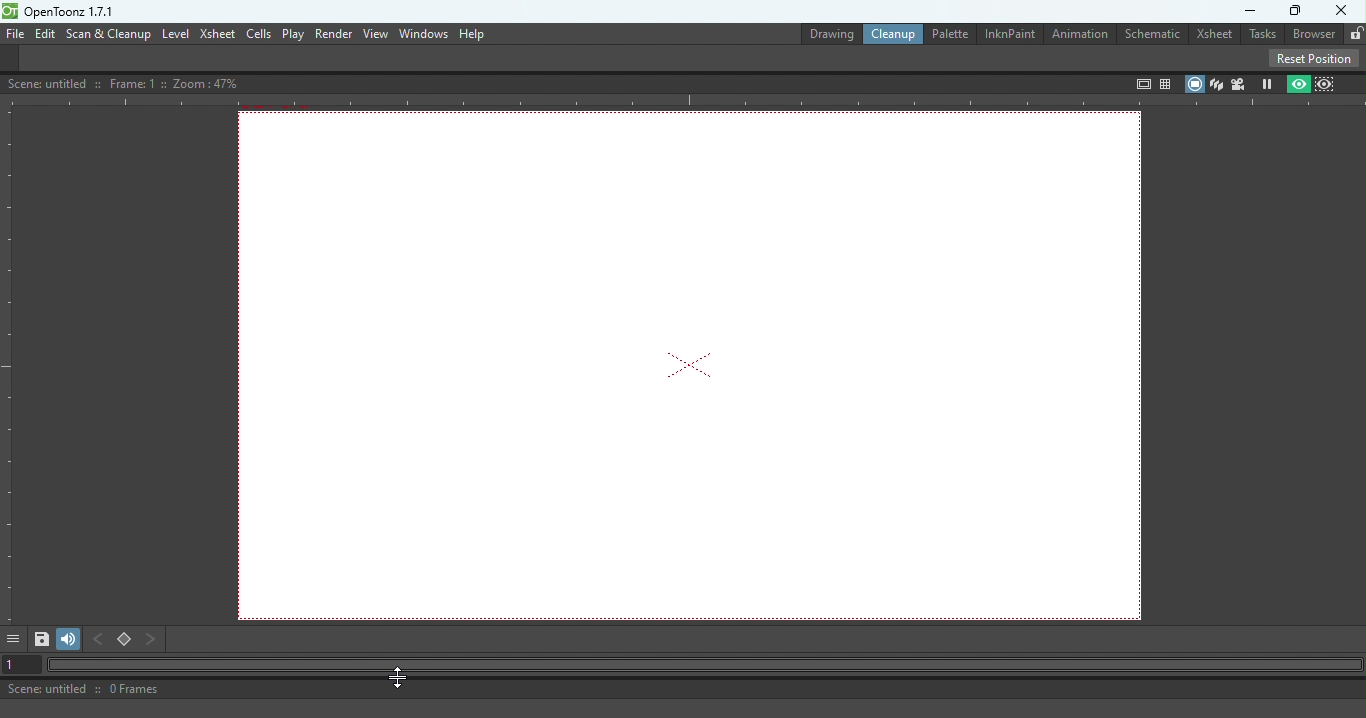 The image size is (1366, 718). I want to click on Status bar, so click(506, 689).